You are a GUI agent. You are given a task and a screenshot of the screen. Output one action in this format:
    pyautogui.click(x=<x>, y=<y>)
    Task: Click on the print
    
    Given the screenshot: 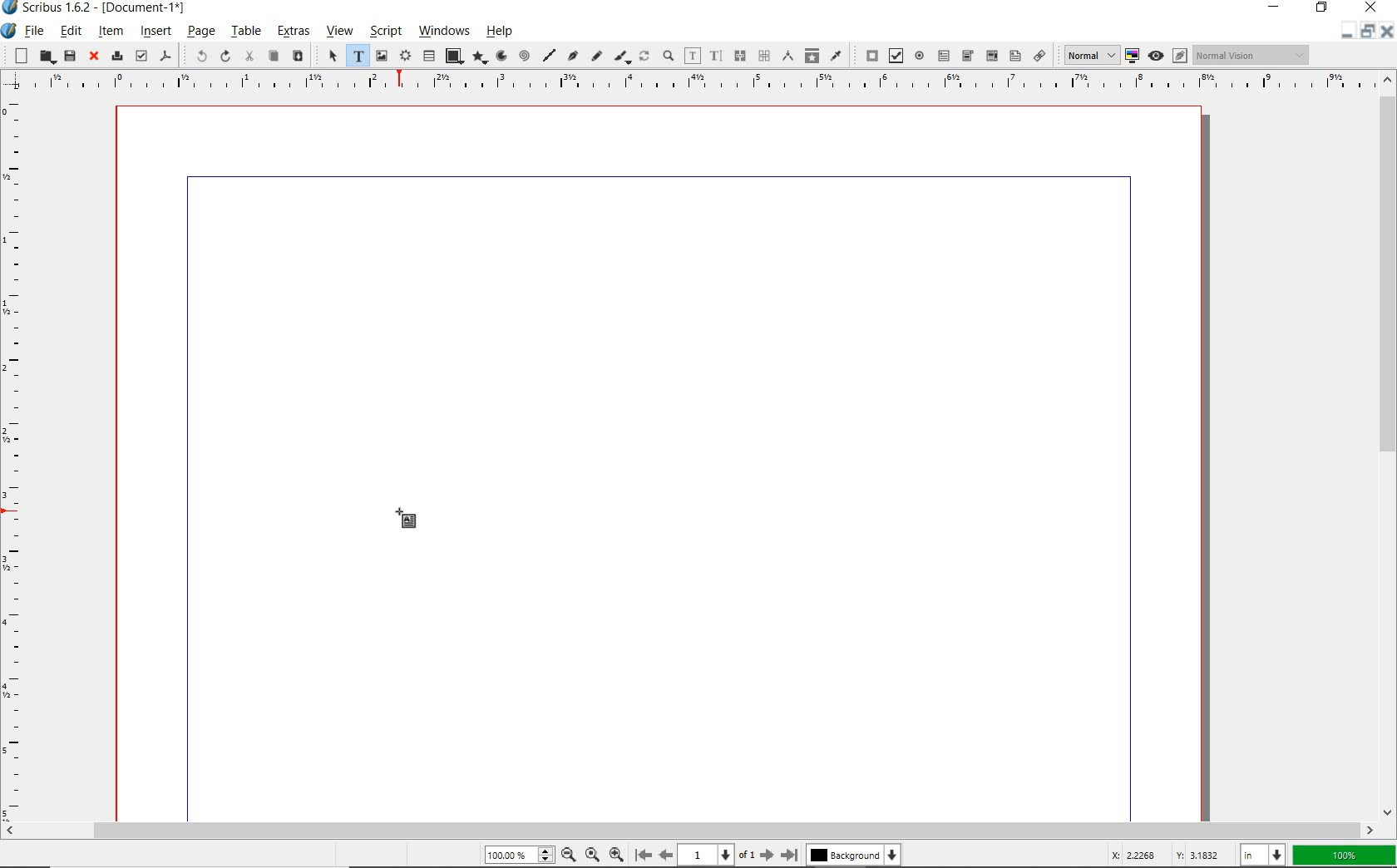 What is the action you would take?
    pyautogui.click(x=116, y=55)
    